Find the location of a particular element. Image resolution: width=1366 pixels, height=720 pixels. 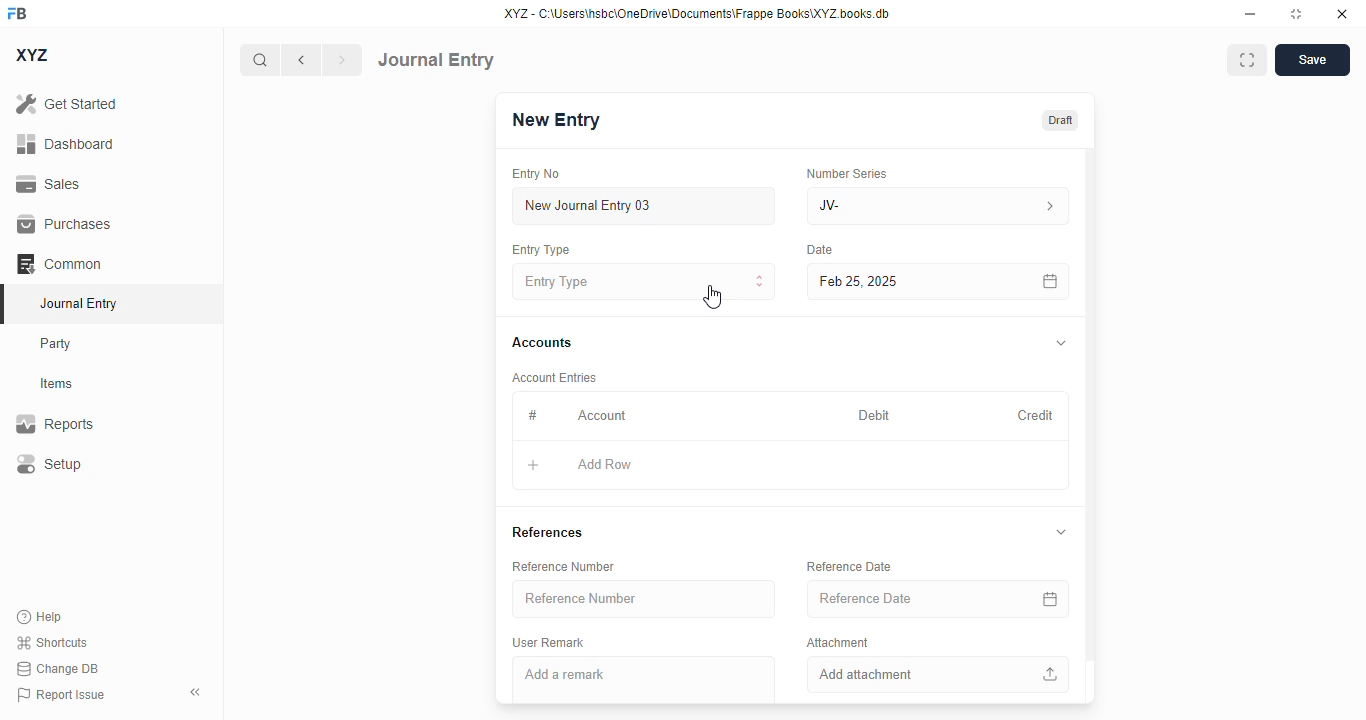

toggle sidebar is located at coordinates (197, 692).